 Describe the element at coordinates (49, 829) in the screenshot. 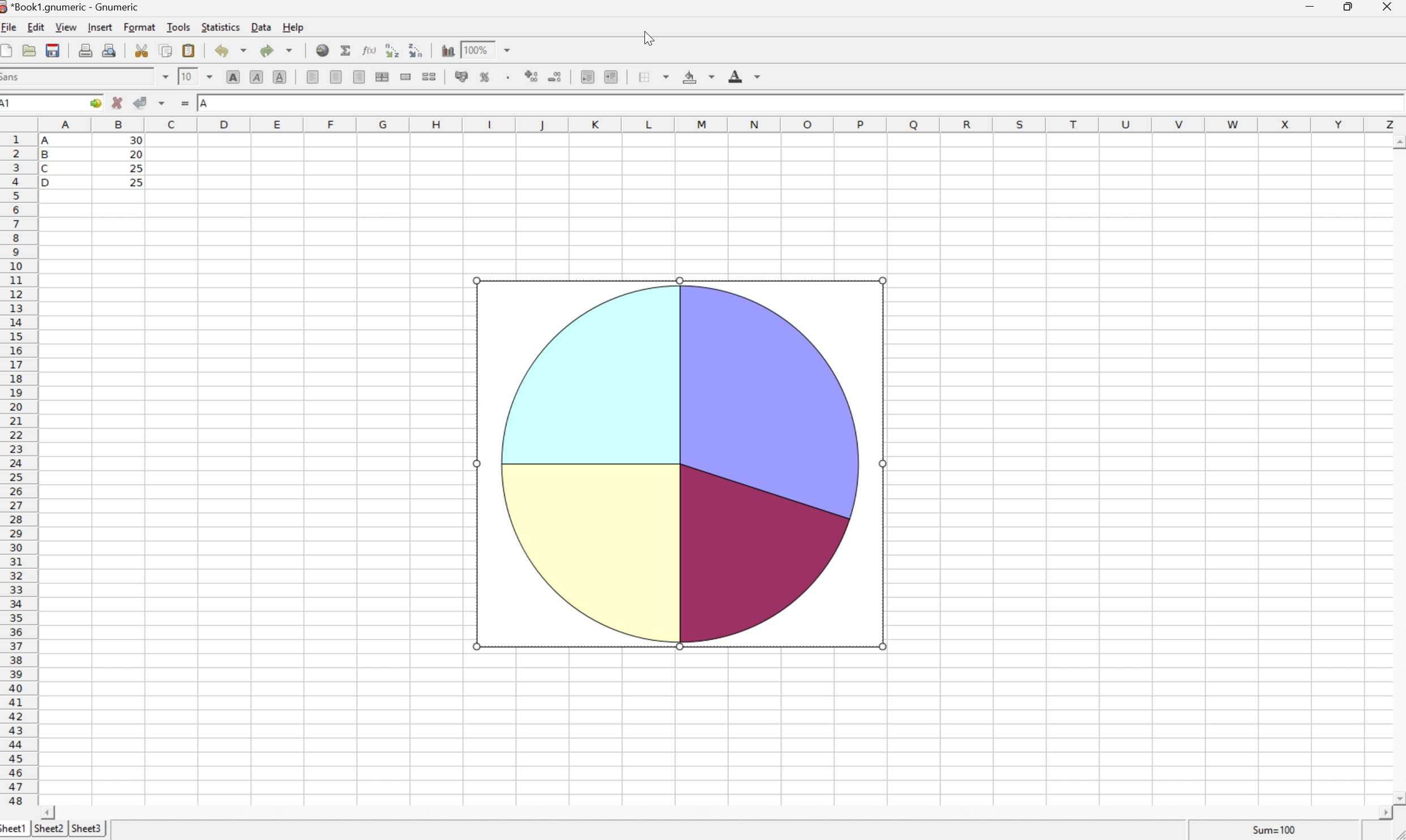

I see `Sheet2` at that location.